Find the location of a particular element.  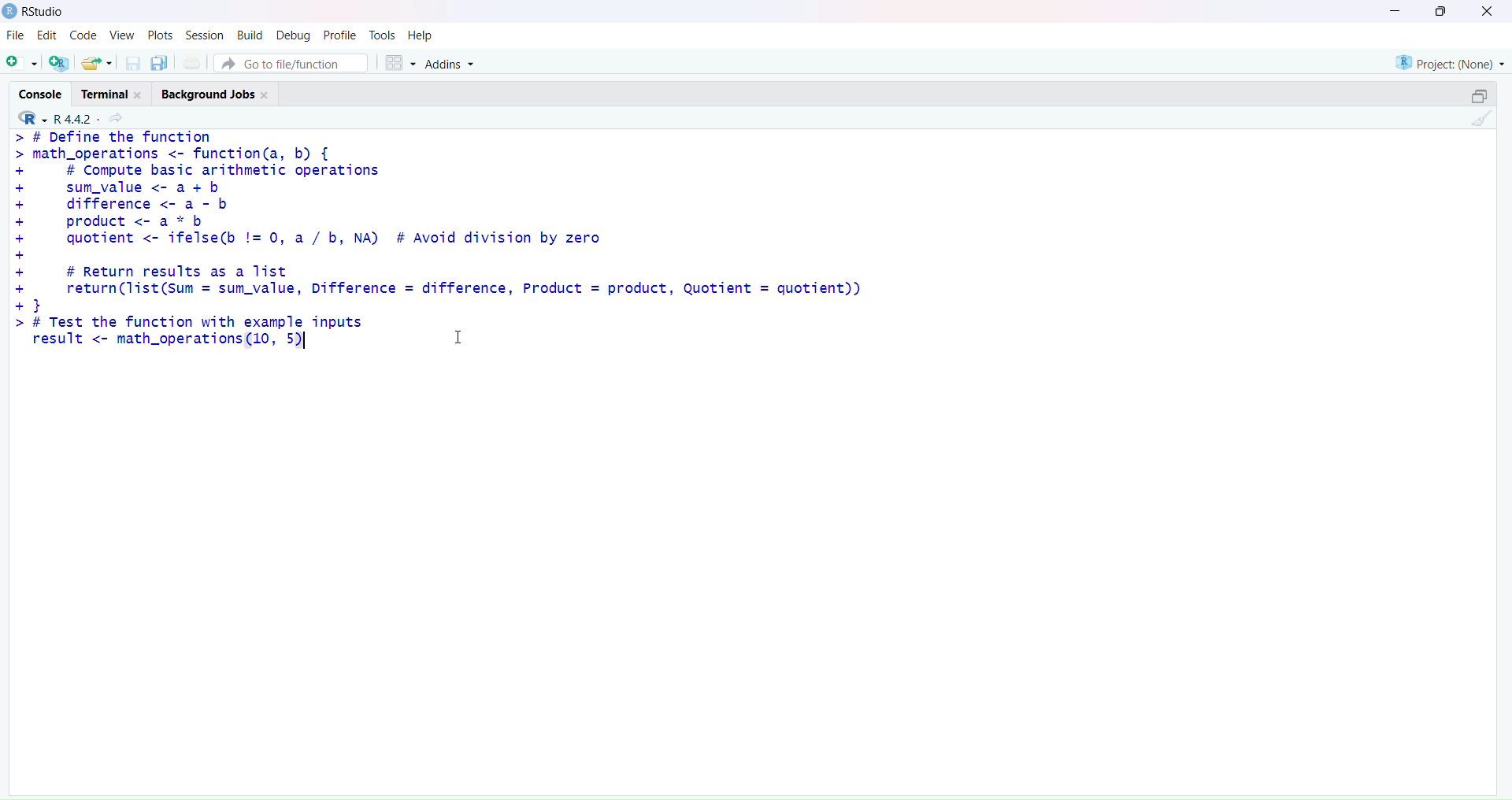

Session is located at coordinates (202, 32).